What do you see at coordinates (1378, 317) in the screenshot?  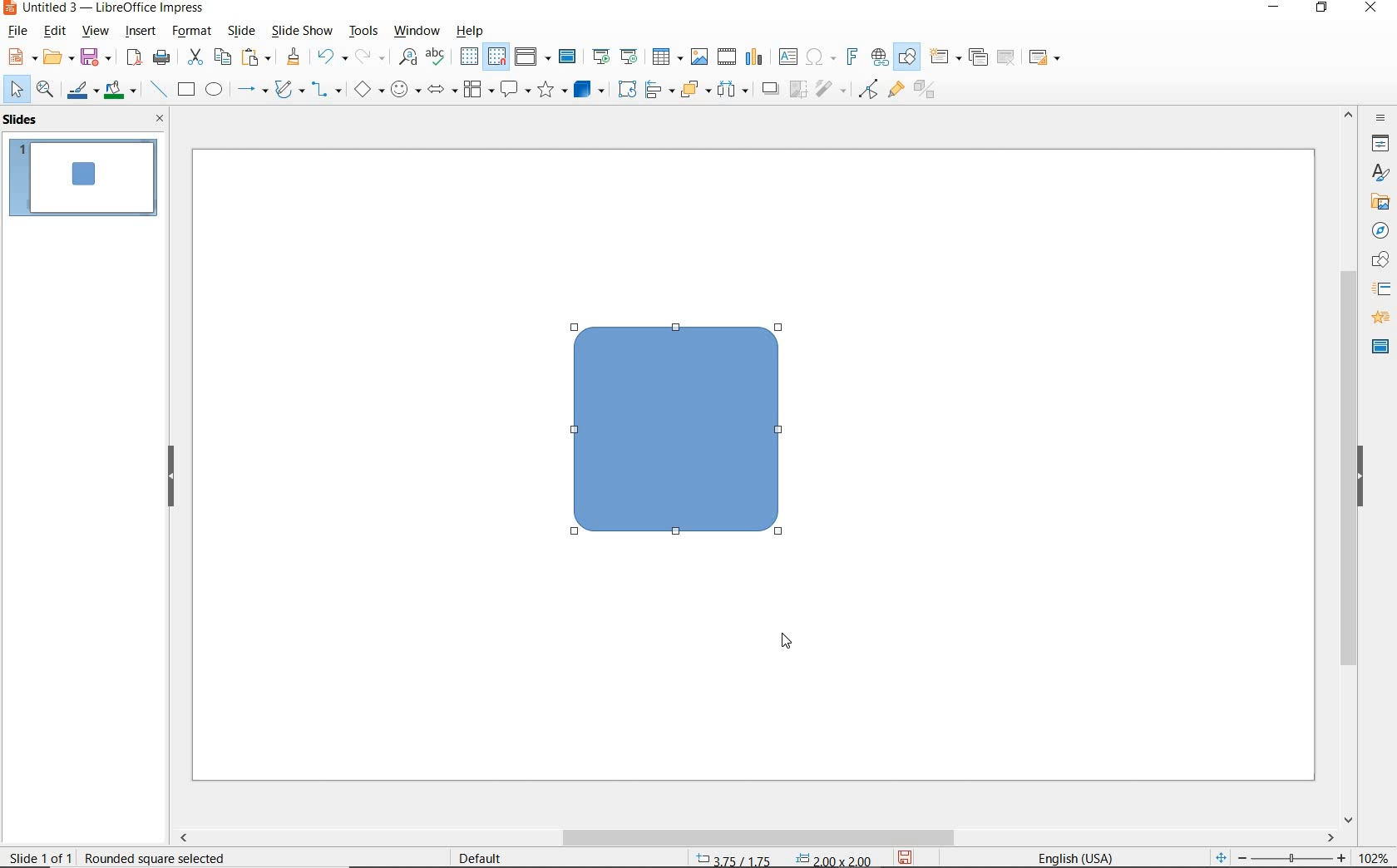 I see `animation` at bounding box center [1378, 317].